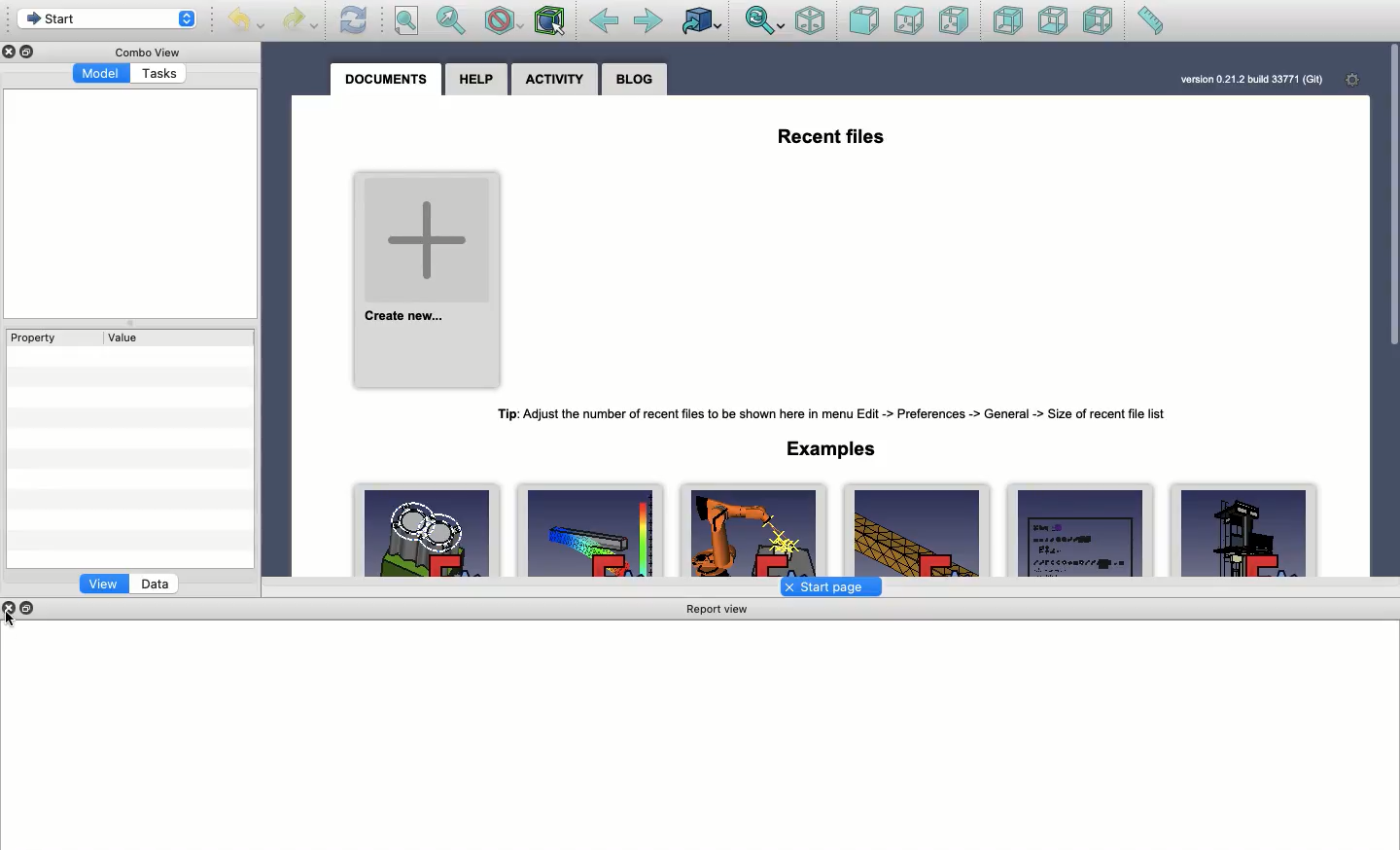  What do you see at coordinates (1354, 83) in the screenshot?
I see `Settings` at bounding box center [1354, 83].